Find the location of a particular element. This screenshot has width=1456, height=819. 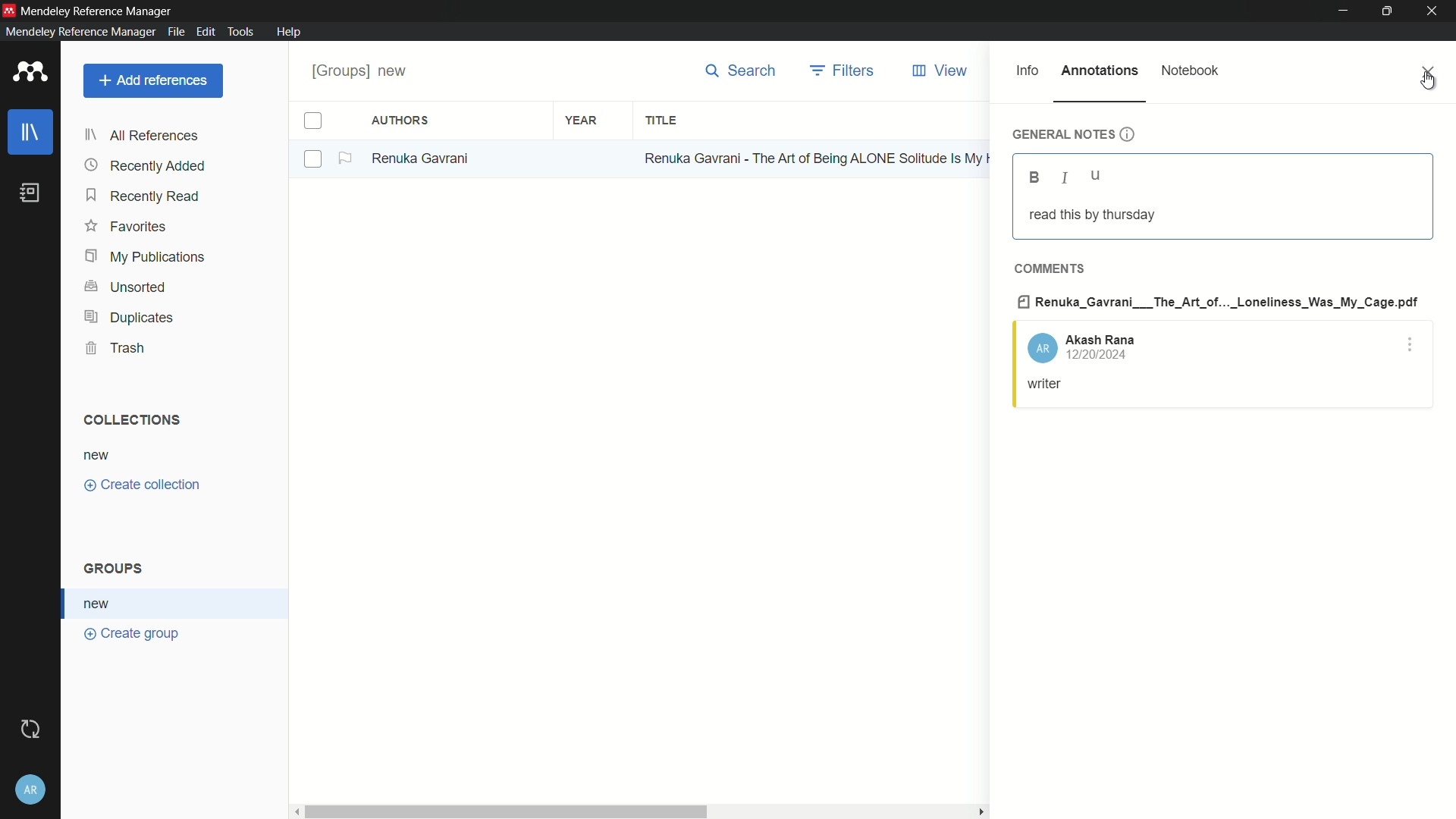

duplicates is located at coordinates (128, 318).